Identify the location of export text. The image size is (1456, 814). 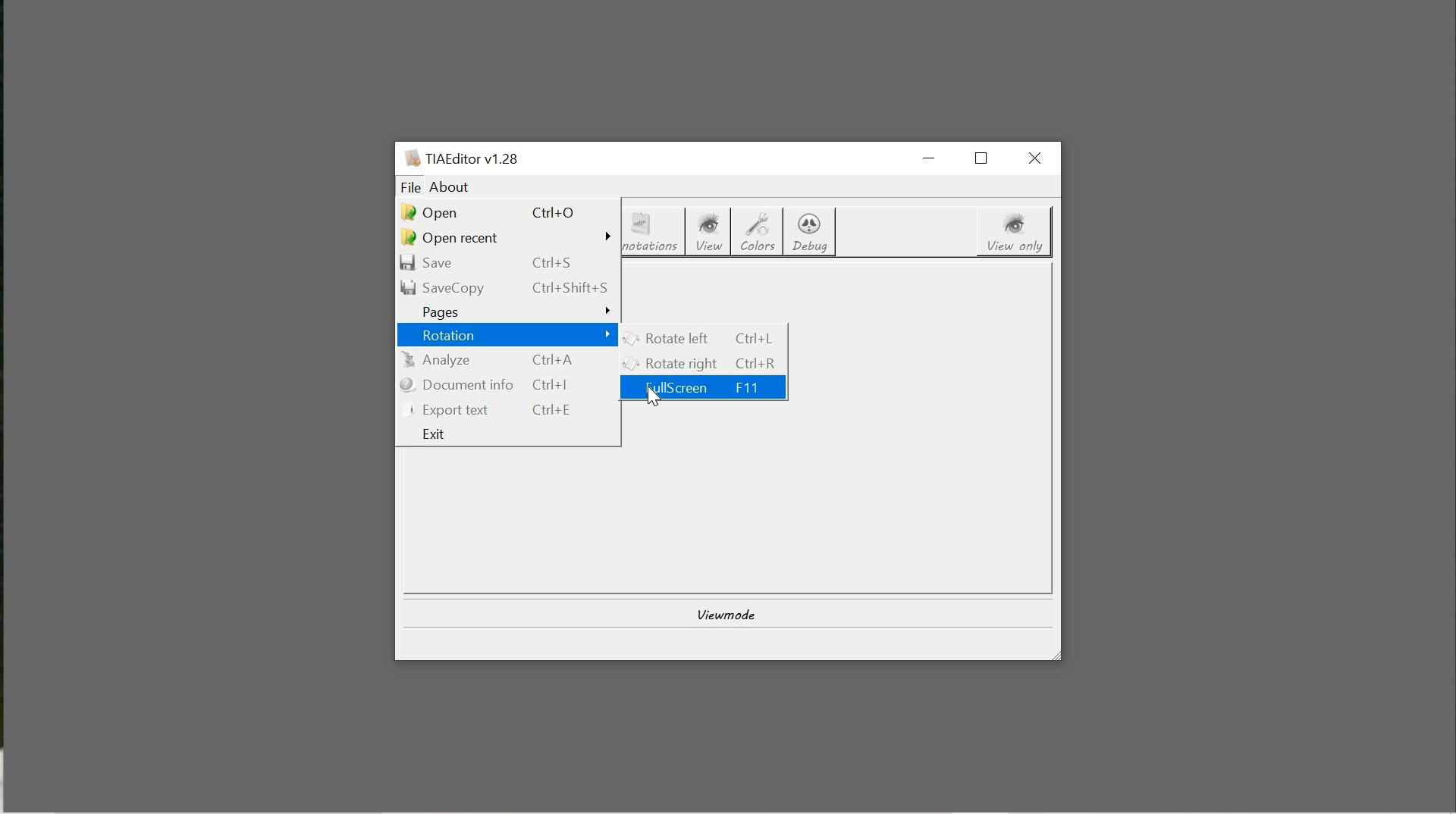
(509, 409).